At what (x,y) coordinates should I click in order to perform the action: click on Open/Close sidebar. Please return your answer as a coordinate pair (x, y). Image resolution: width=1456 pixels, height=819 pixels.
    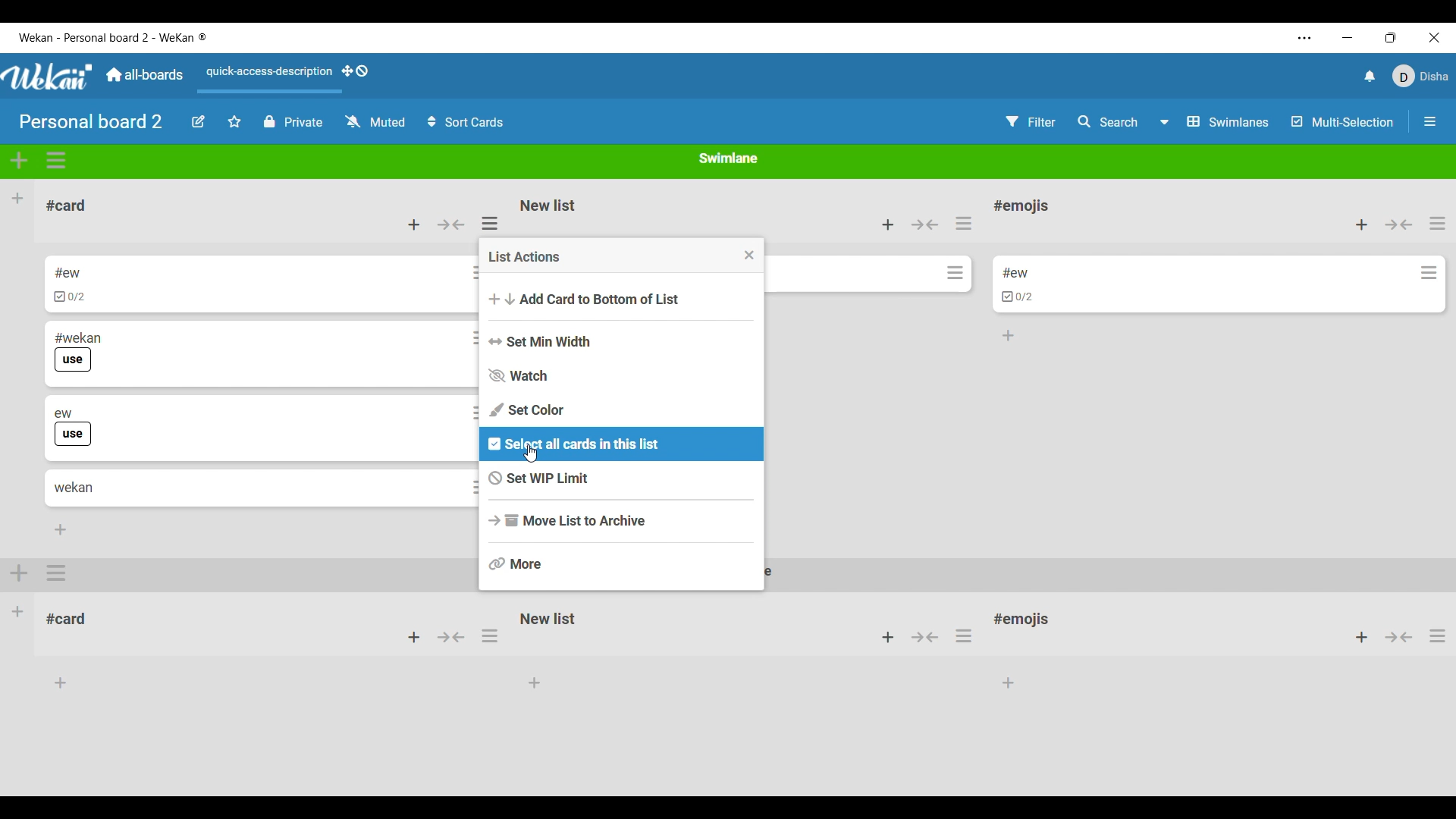
    Looking at the image, I should click on (1430, 121).